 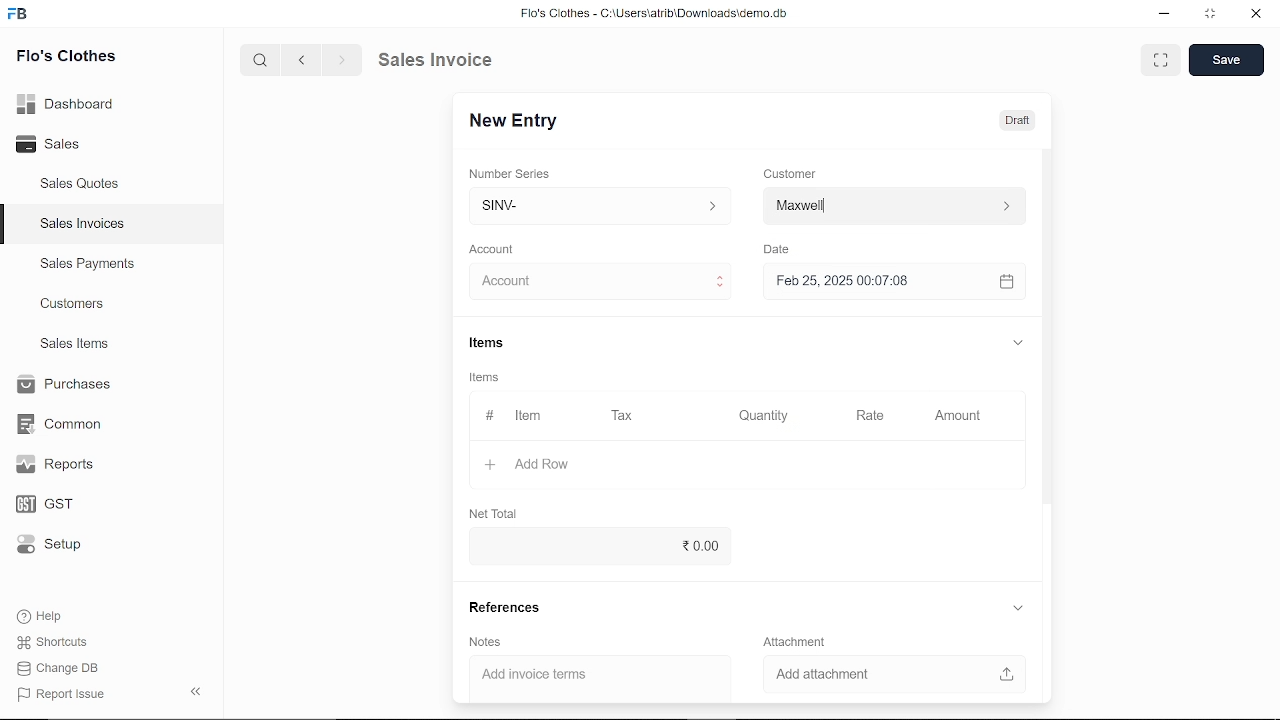 What do you see at coordinates (1018, 609) in the screenshot?
I see `expand` at bounding box center [1018, 609].